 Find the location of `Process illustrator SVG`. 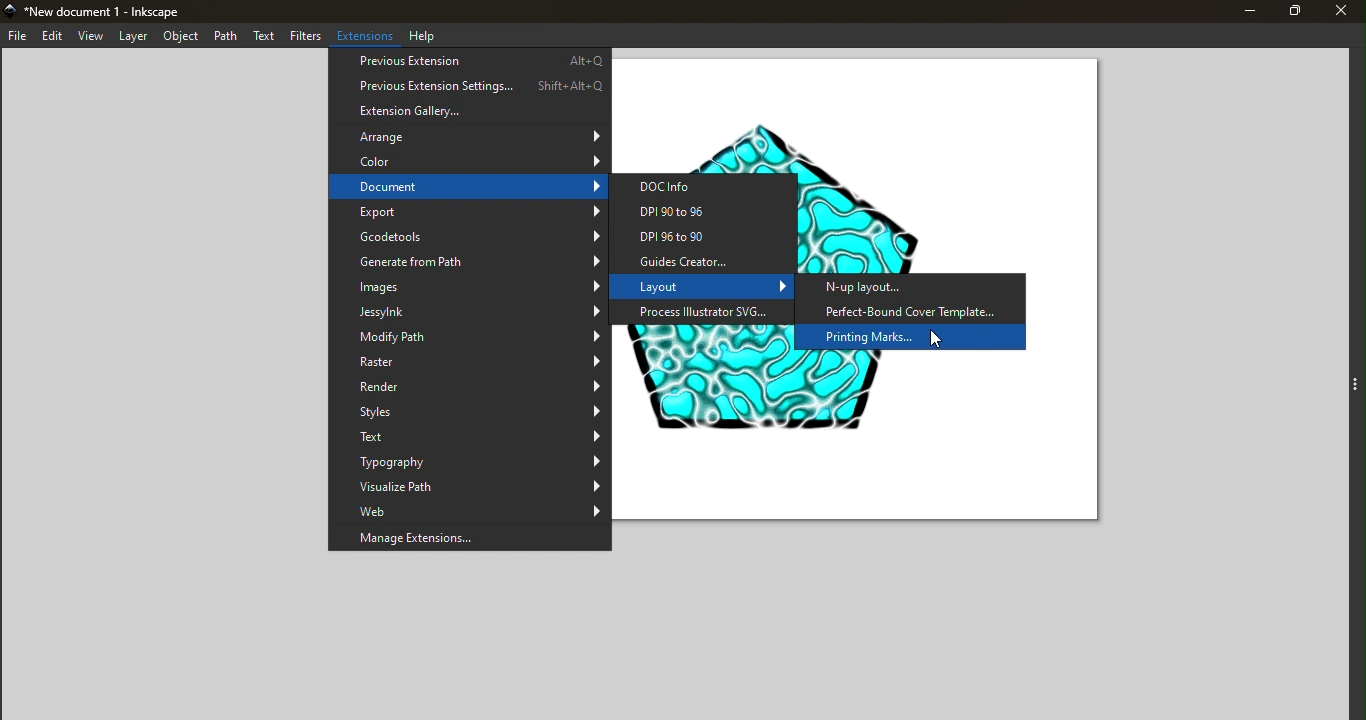

Process illustrator SVG is located at coordinates (705, 314).